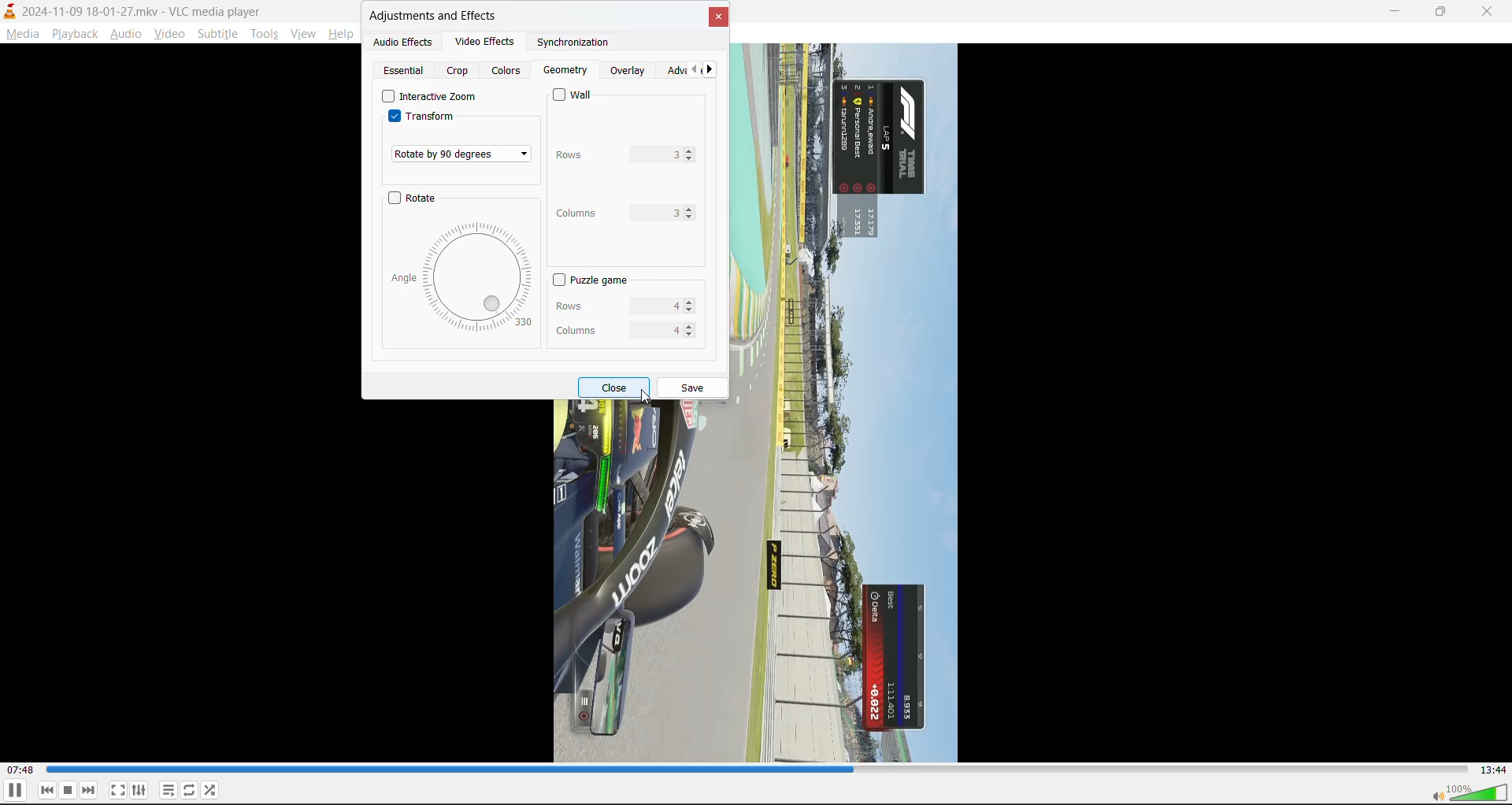 This screenshot has height=805, width=1512. Describe the element at coordinates (402, 72) in the screenshot. I see `essential` at that location.